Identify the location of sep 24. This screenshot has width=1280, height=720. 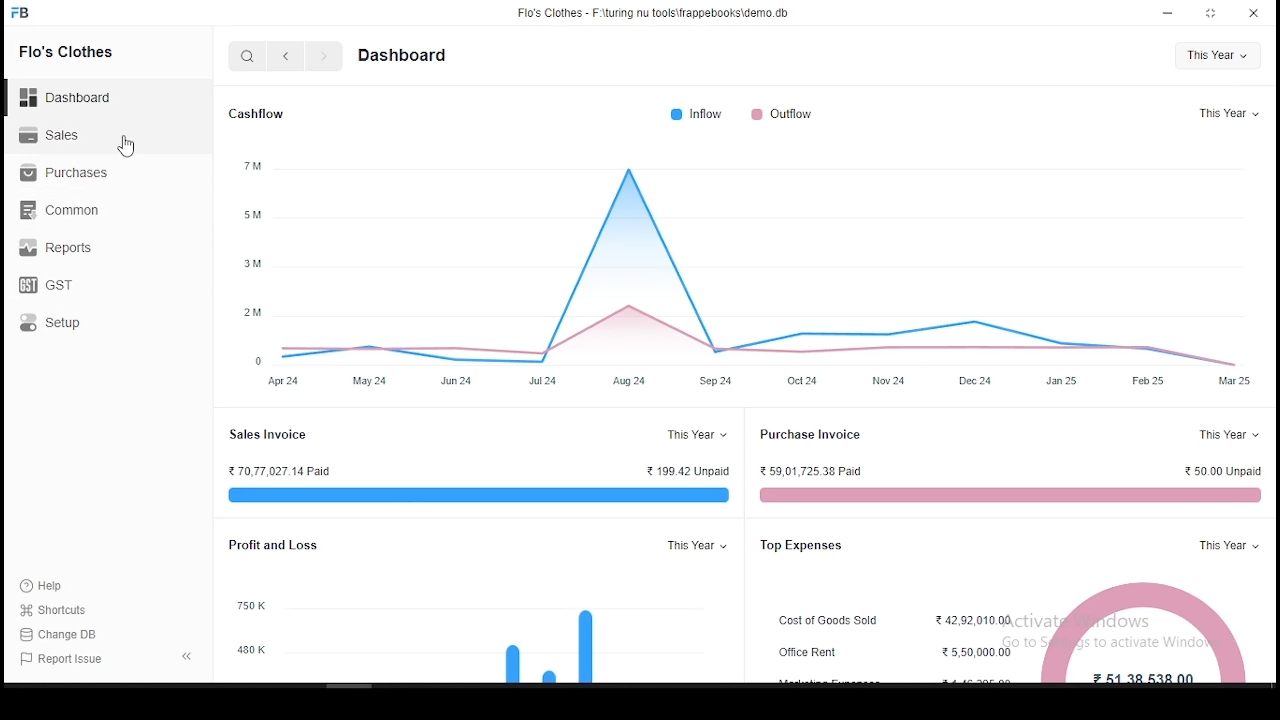
(716, 381).